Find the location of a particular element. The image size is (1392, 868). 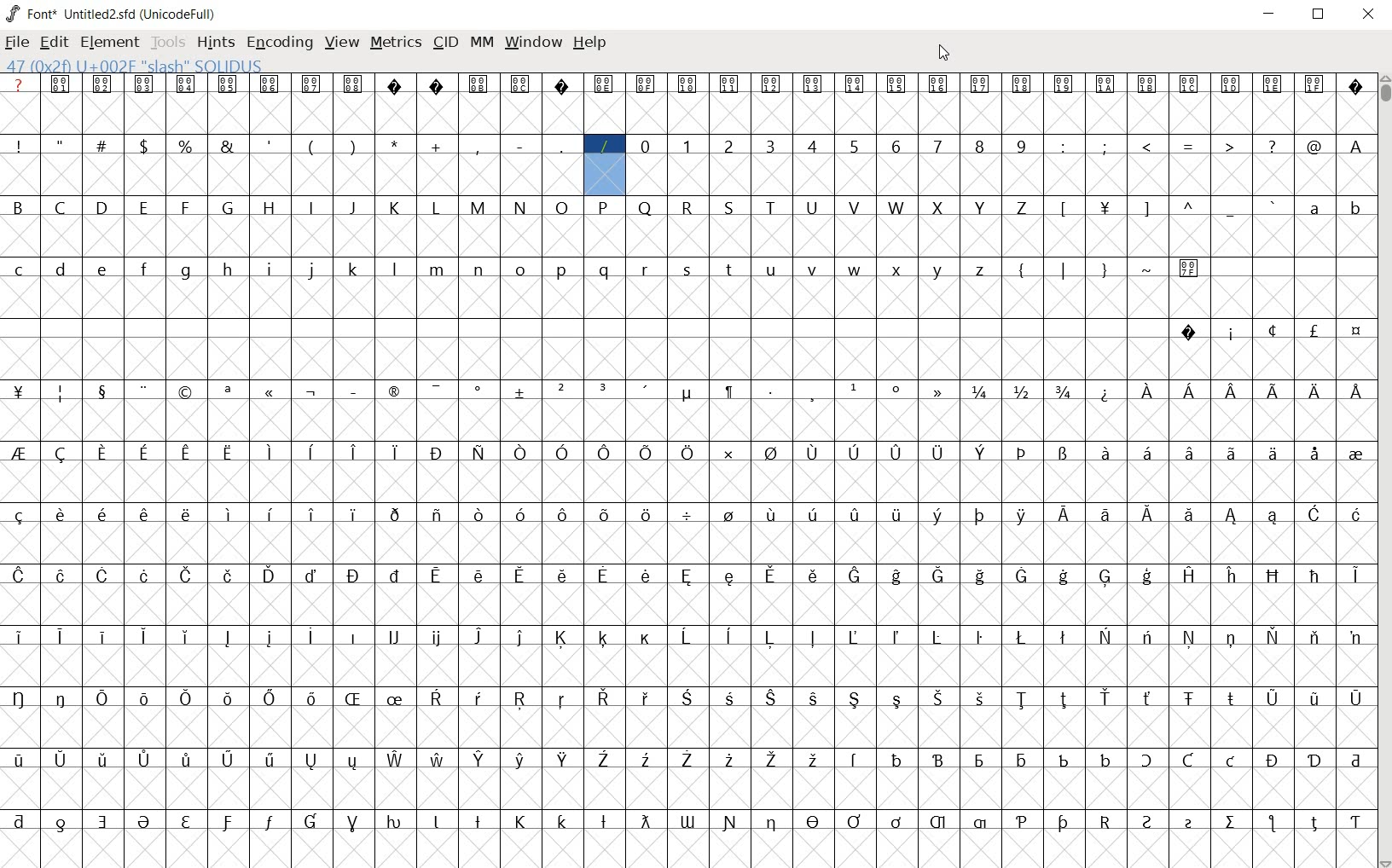

glyph is located at coordinates (769, 575).